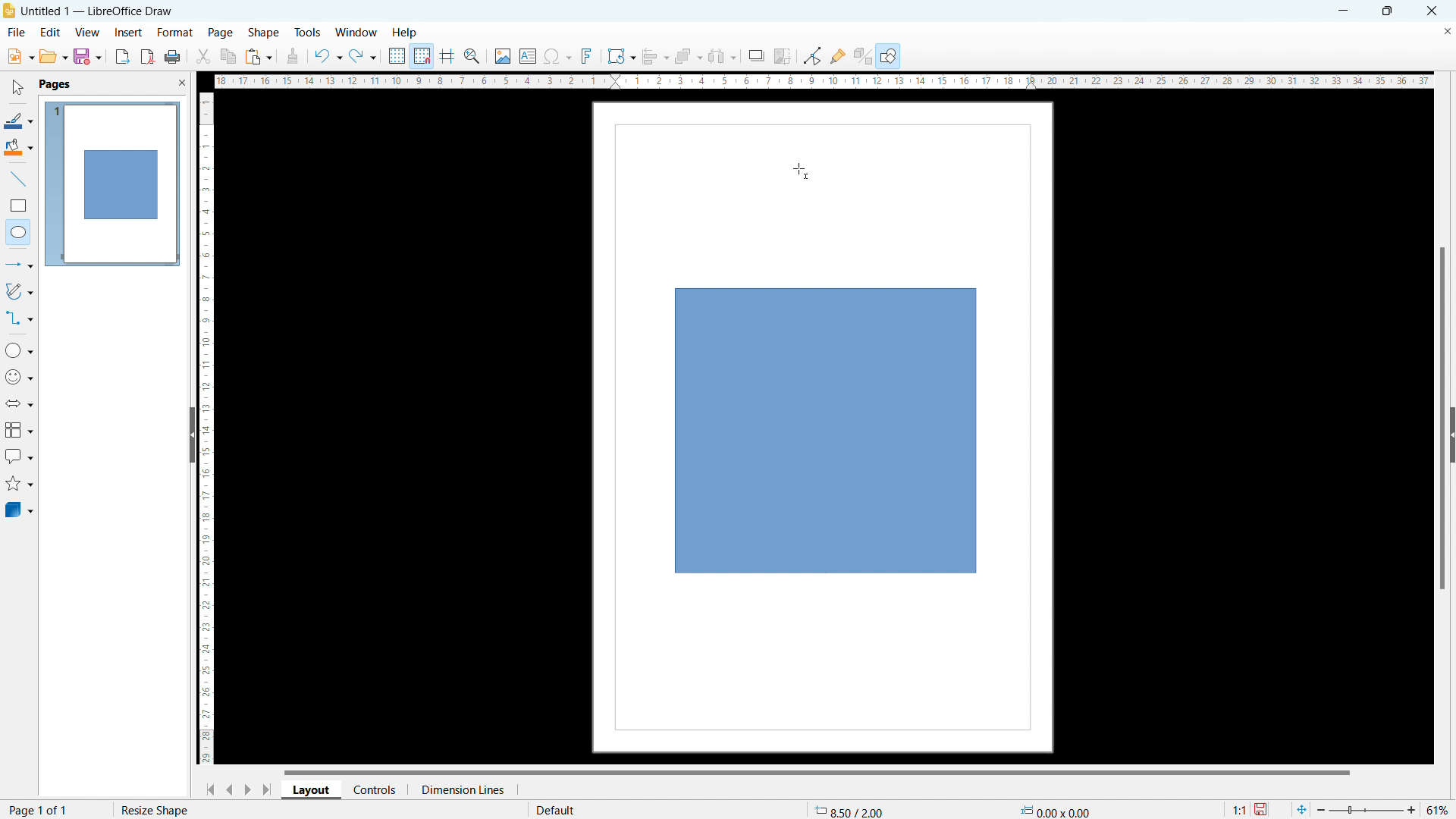  I want to click on paste, so click(259, 56).